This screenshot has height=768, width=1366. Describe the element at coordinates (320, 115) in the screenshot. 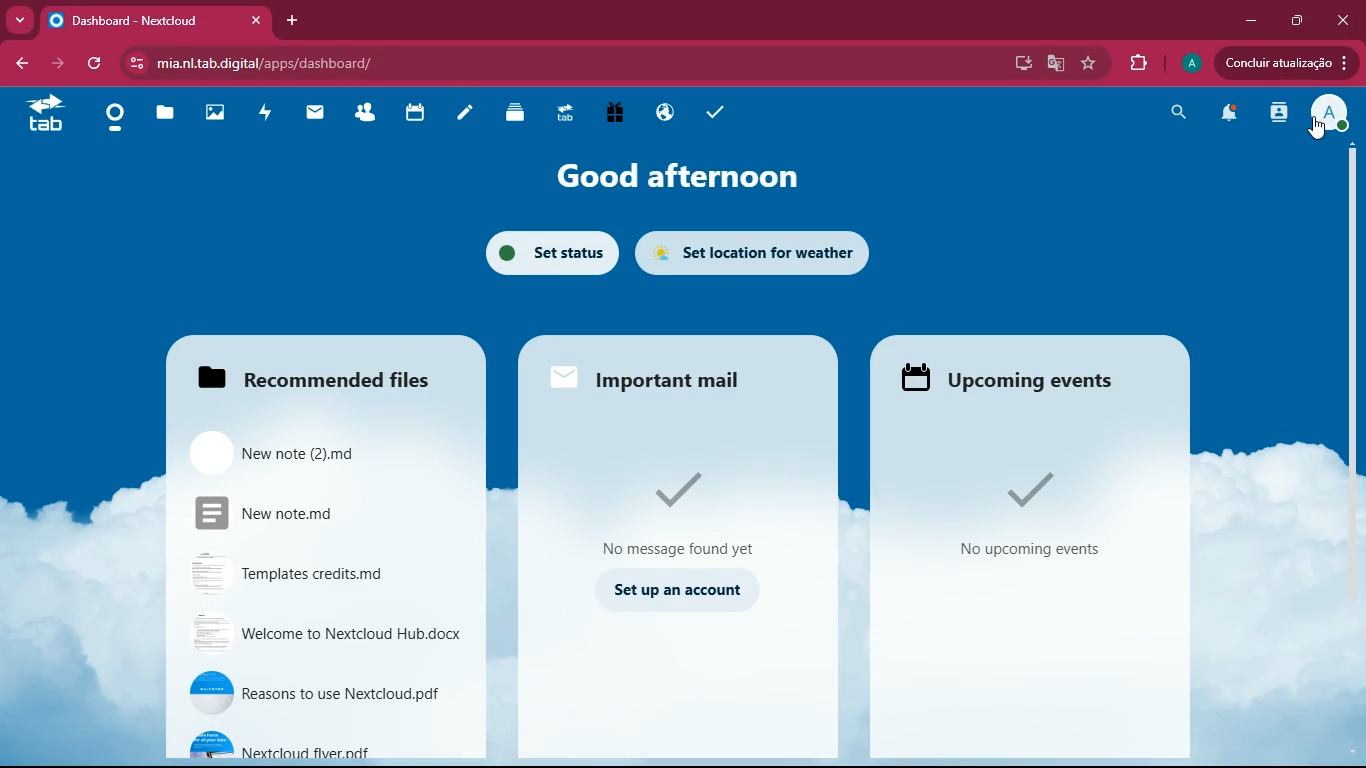

I see `mail` at that location.